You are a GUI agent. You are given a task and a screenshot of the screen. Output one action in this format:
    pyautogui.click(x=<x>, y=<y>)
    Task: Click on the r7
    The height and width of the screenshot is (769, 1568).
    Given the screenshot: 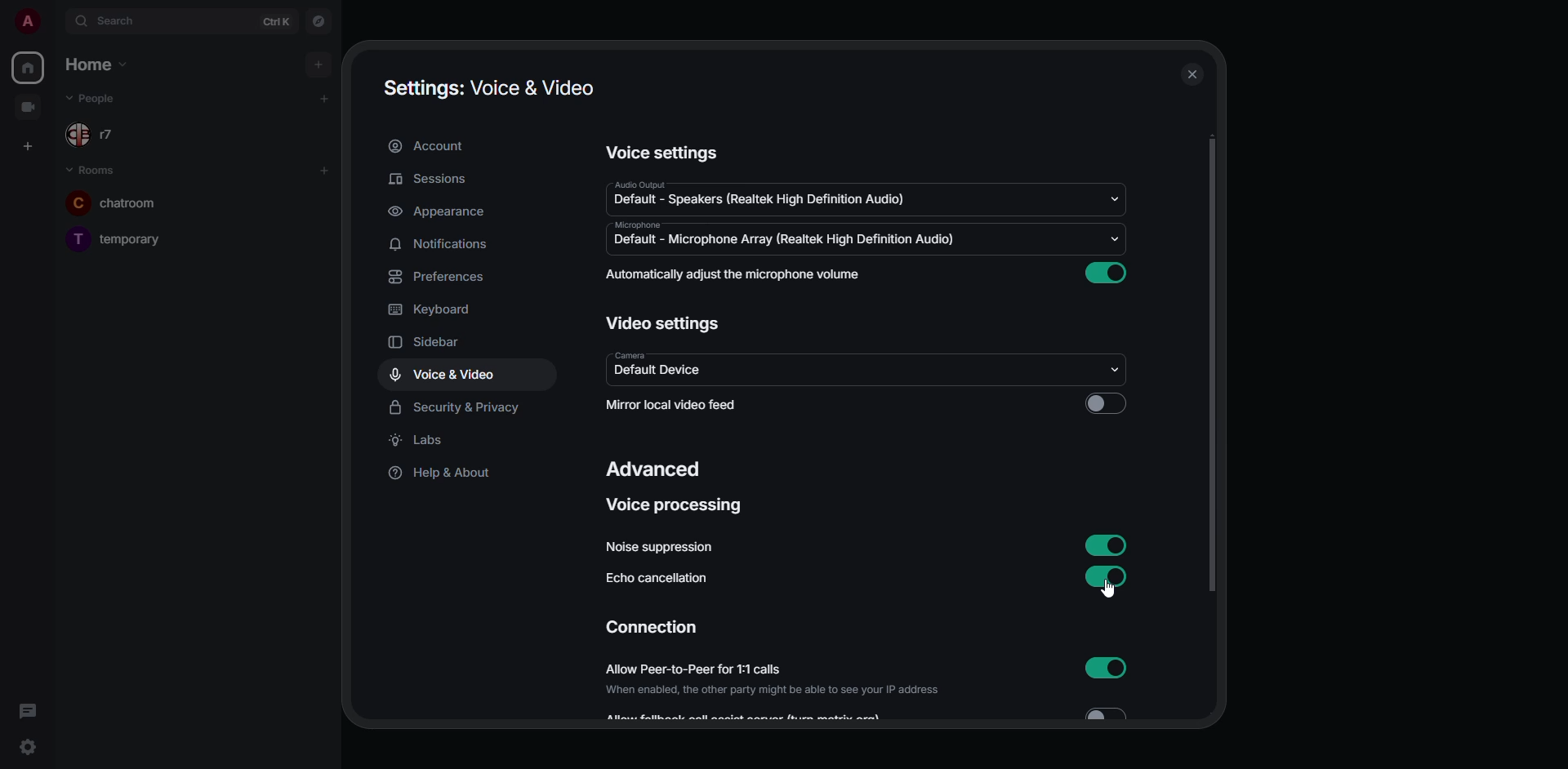 What is the action you would take?
    pyautogui.click(x=96, y=136)
    